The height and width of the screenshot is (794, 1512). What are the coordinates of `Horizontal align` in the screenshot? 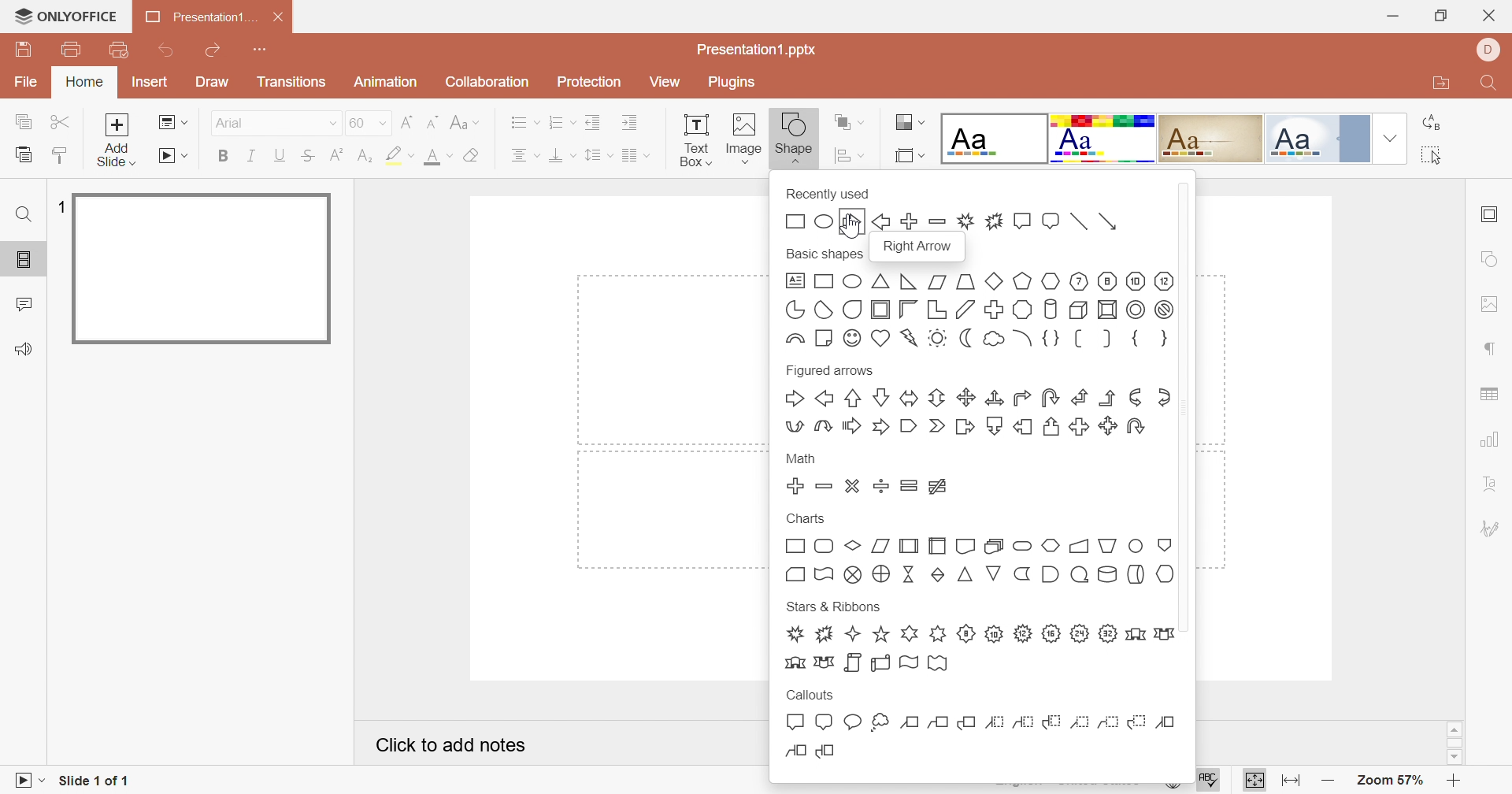 It's located at (524, 156).